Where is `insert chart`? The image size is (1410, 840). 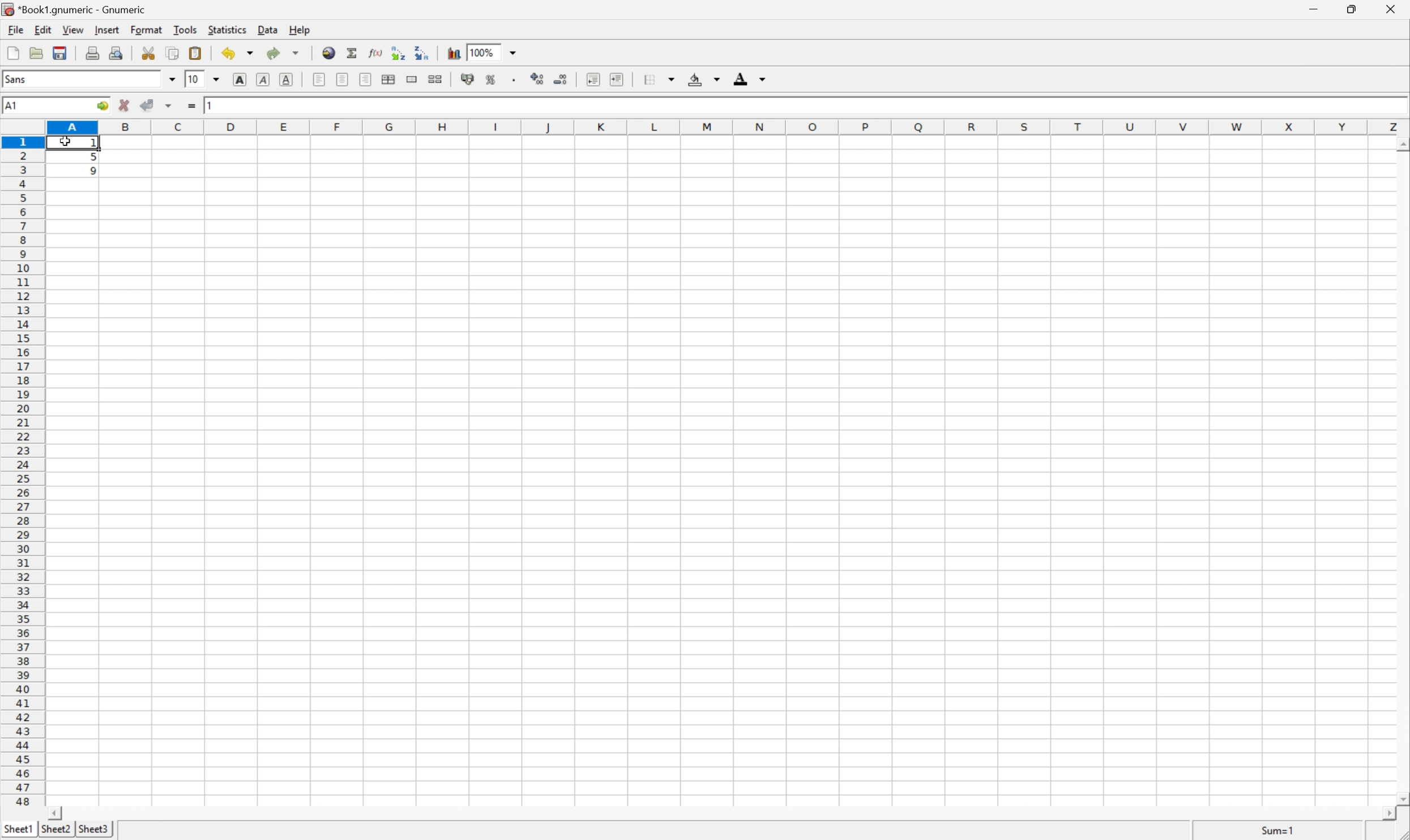 insert chart is located at coordinates (453, 52).